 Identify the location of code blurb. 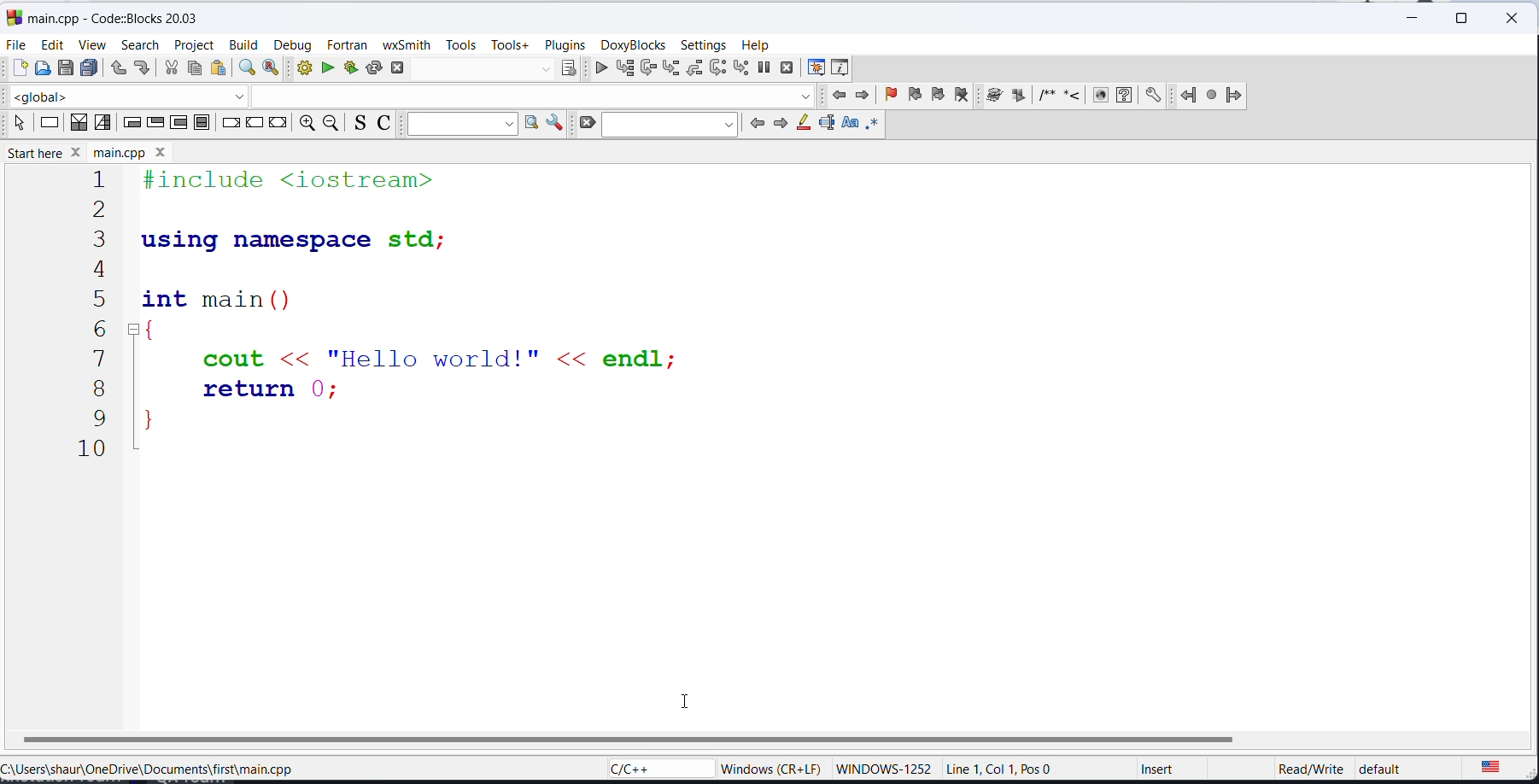
(450, 313).